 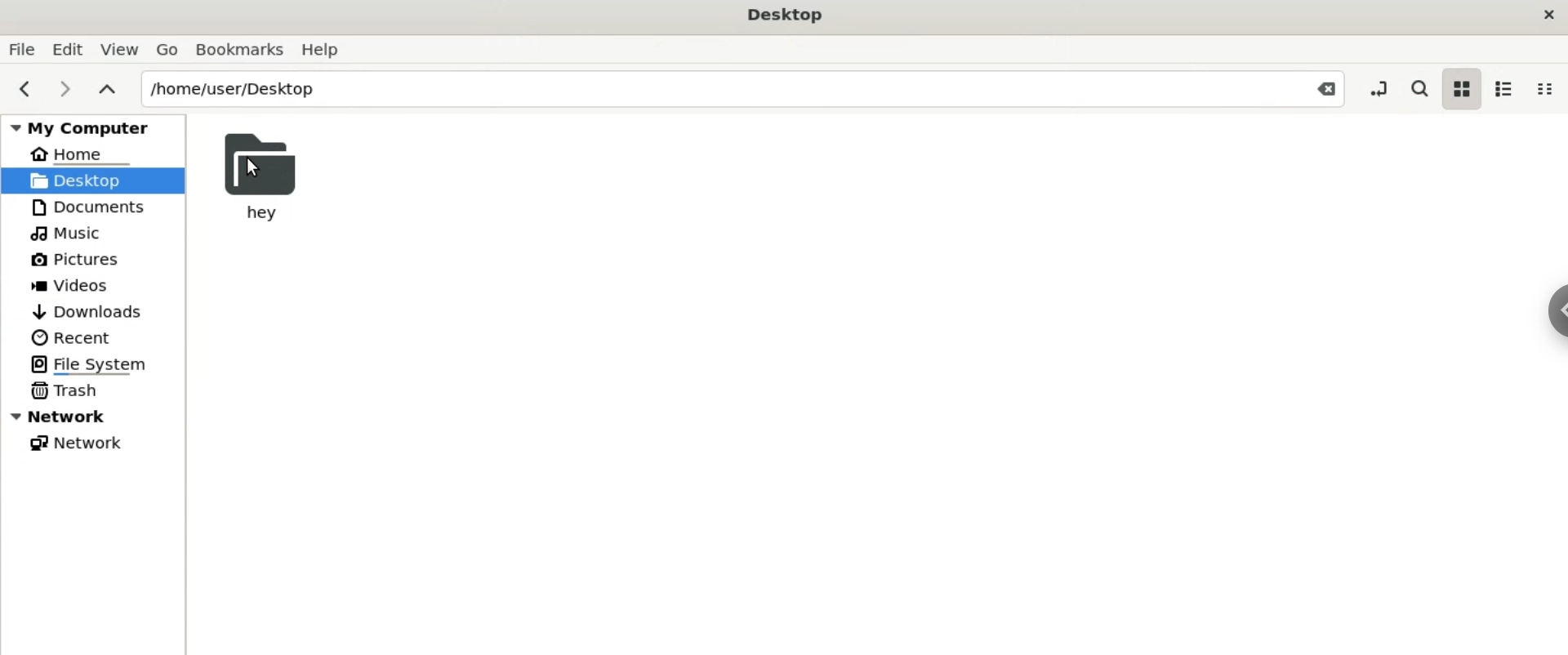 What do you see at coordinates (1383, 87) in the screenshot?
I see `toggle location entry` at bounding box center [1383, 87].